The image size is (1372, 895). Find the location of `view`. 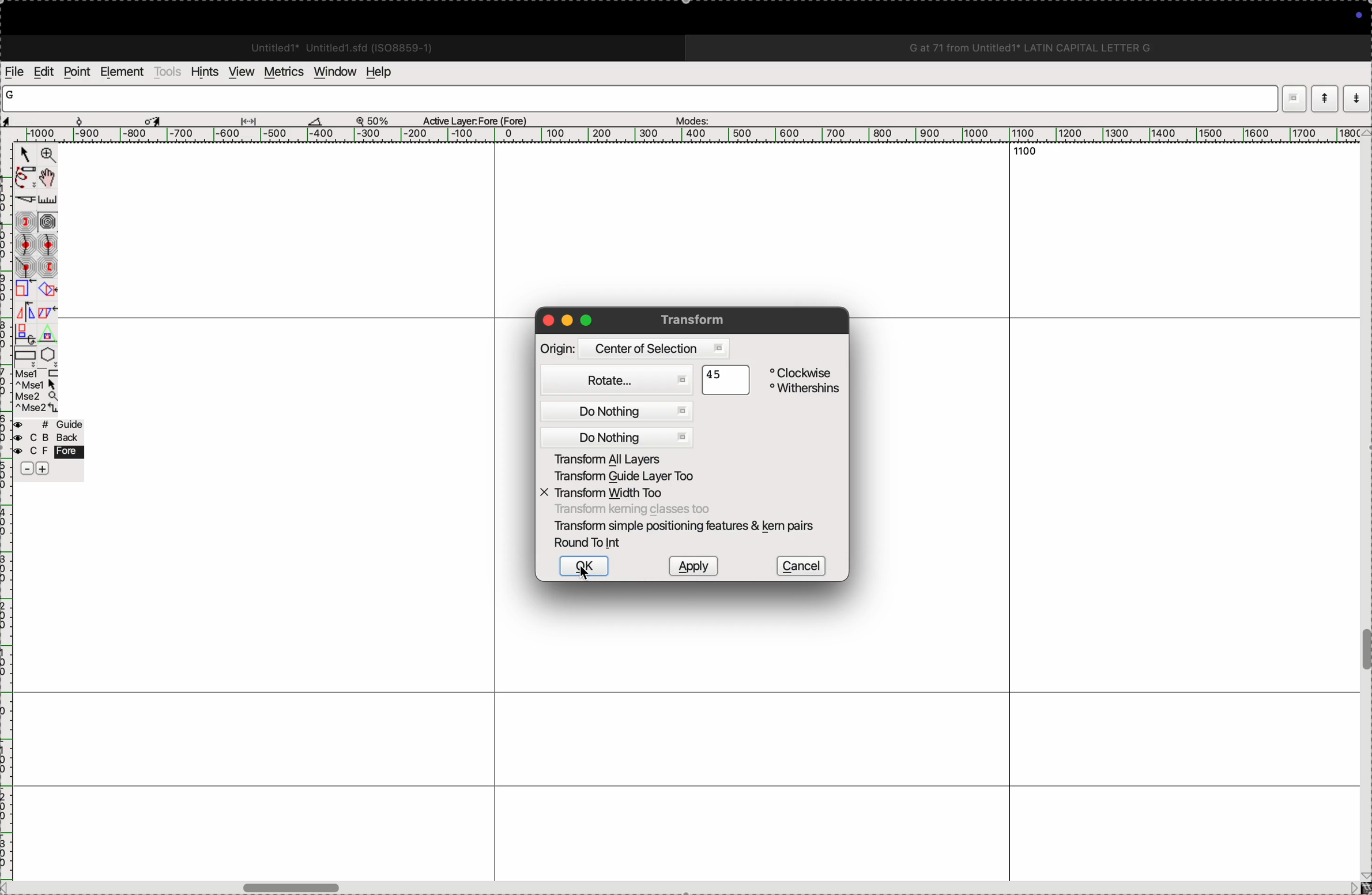

view is located at coordinates (242, 72).